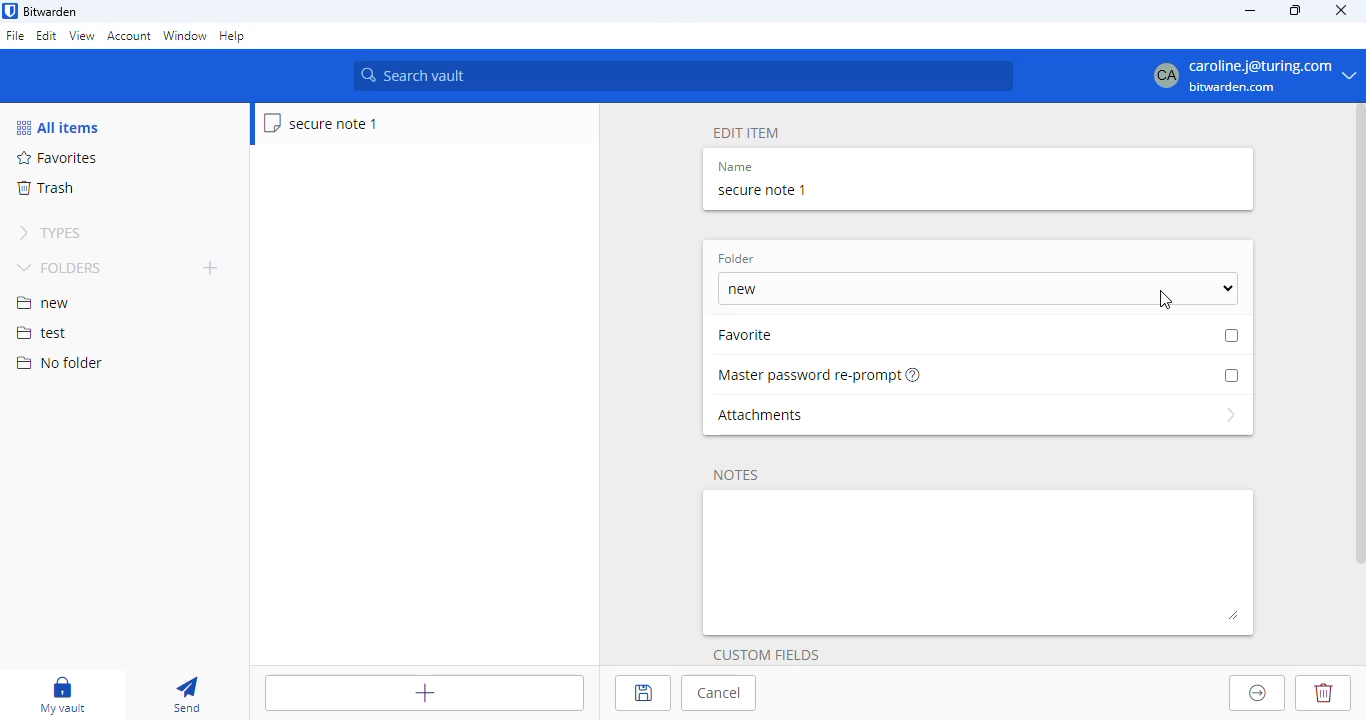 This screenshot has height=720, width=1366. Describe the element at coordinates (185, 37) in the screenshot. I see `window` at that location.